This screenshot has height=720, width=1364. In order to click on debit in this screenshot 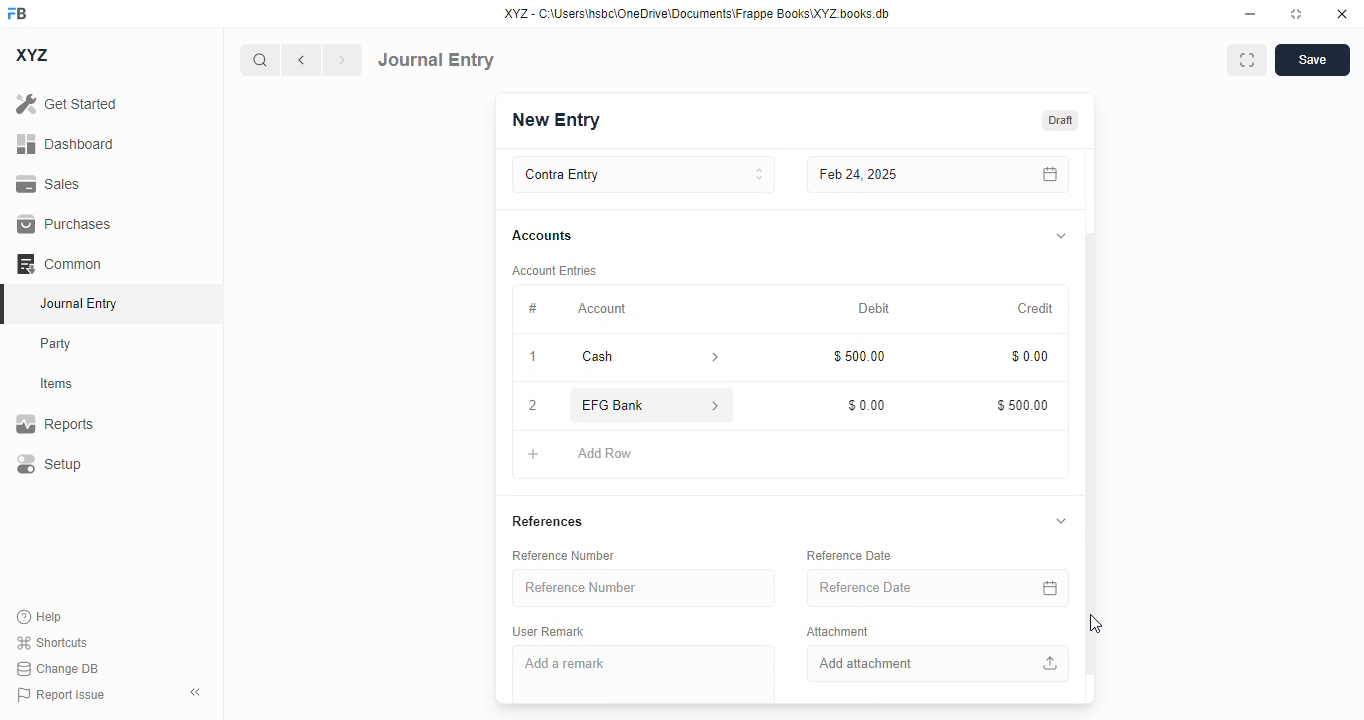, I will do `click(873, 309)`.